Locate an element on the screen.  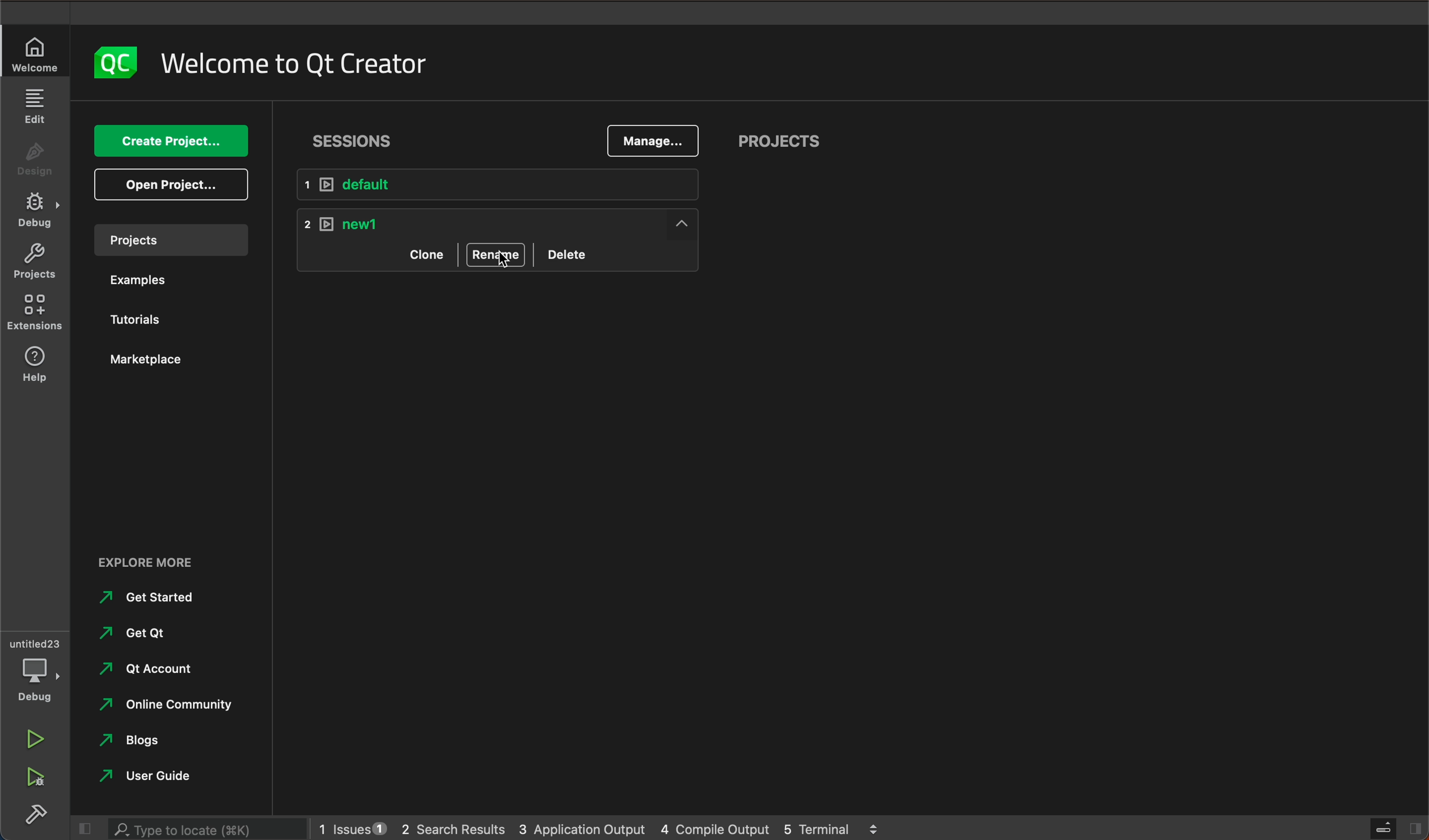
NEW is located at coordinates (505, 222).